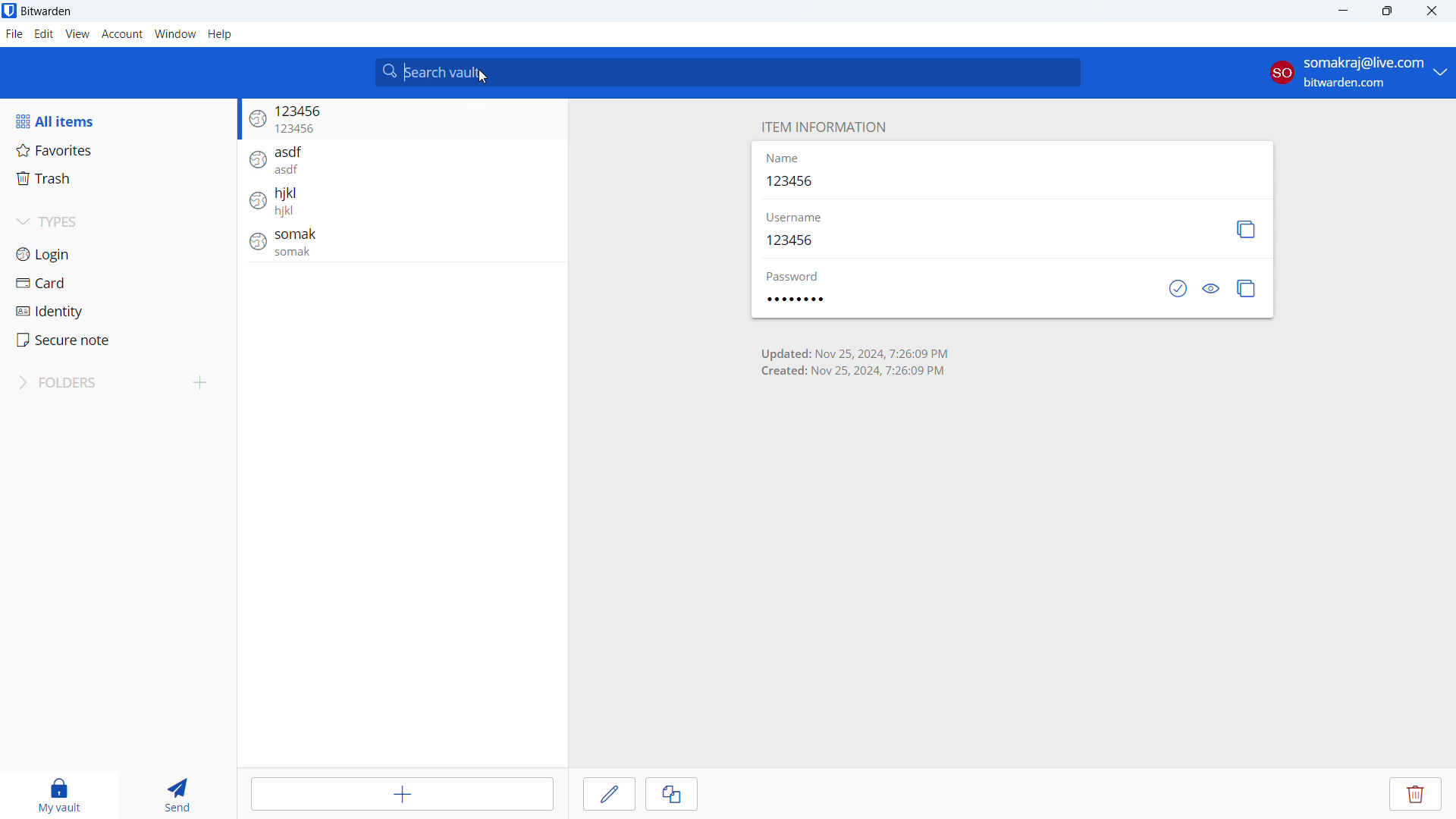 The width and height of the screenshot is (1456, 819). I want to click on view, so click(78, 34).